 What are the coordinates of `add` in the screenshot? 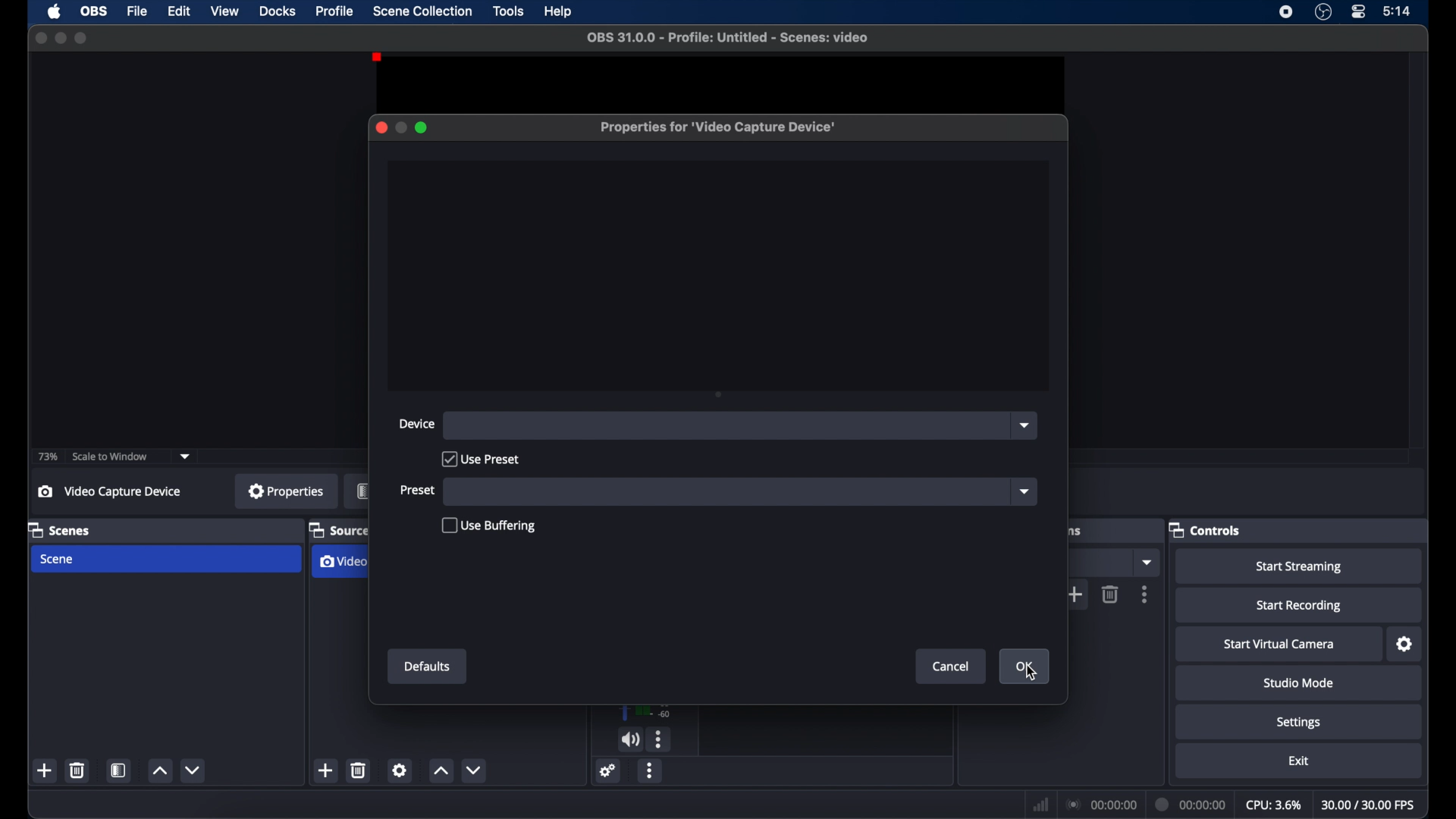 It's located at (1080, 595).